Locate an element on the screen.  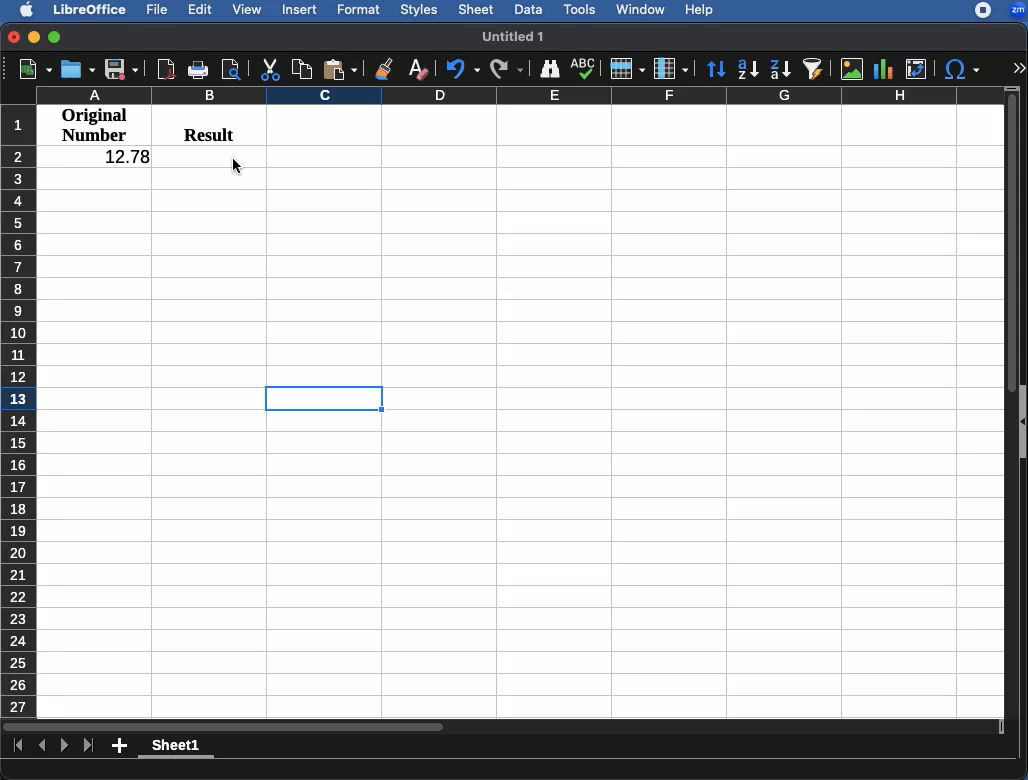
File is located at coordinates (160, 9).